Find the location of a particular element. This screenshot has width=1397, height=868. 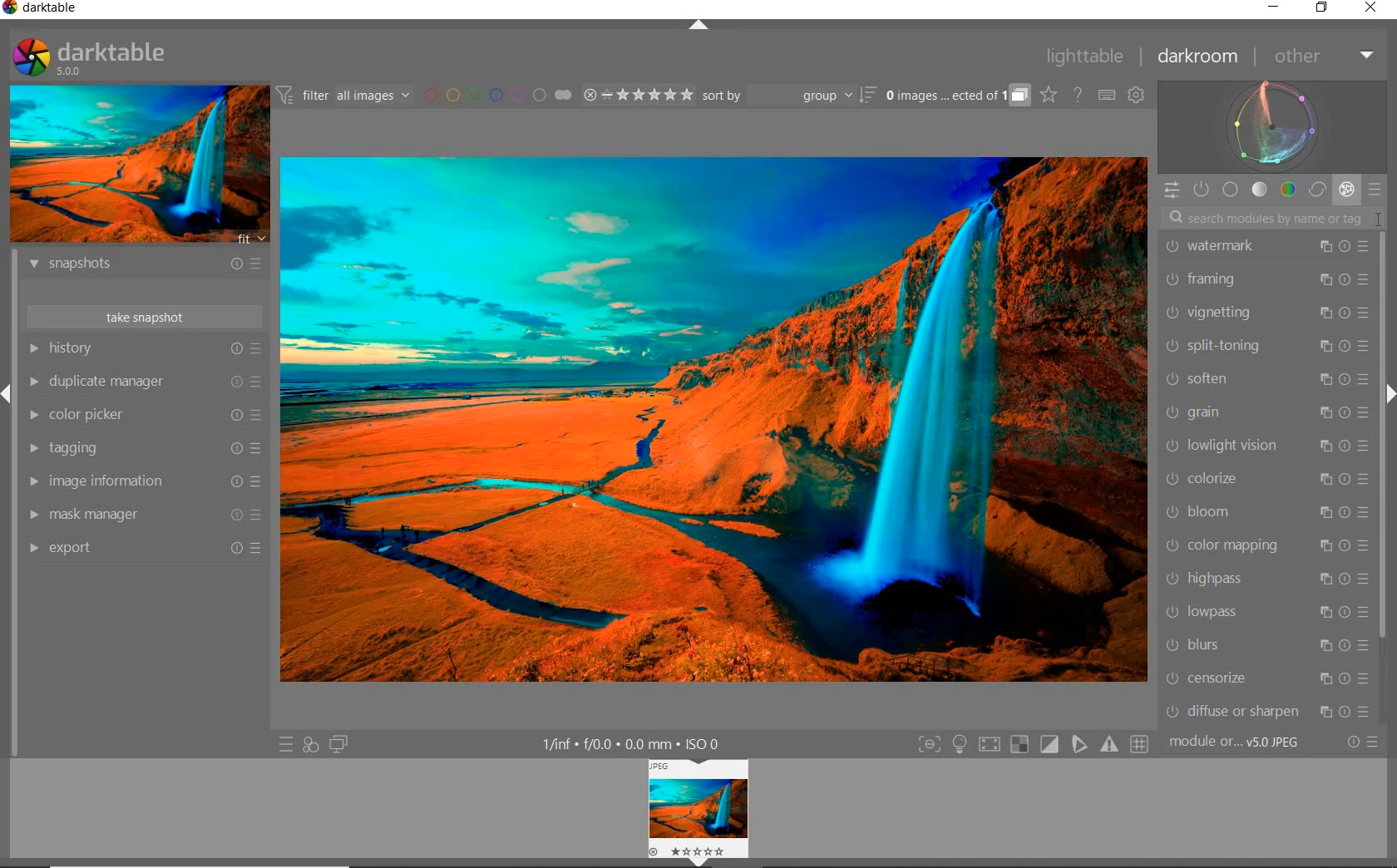

color picker is located at coordinates (143, 415).